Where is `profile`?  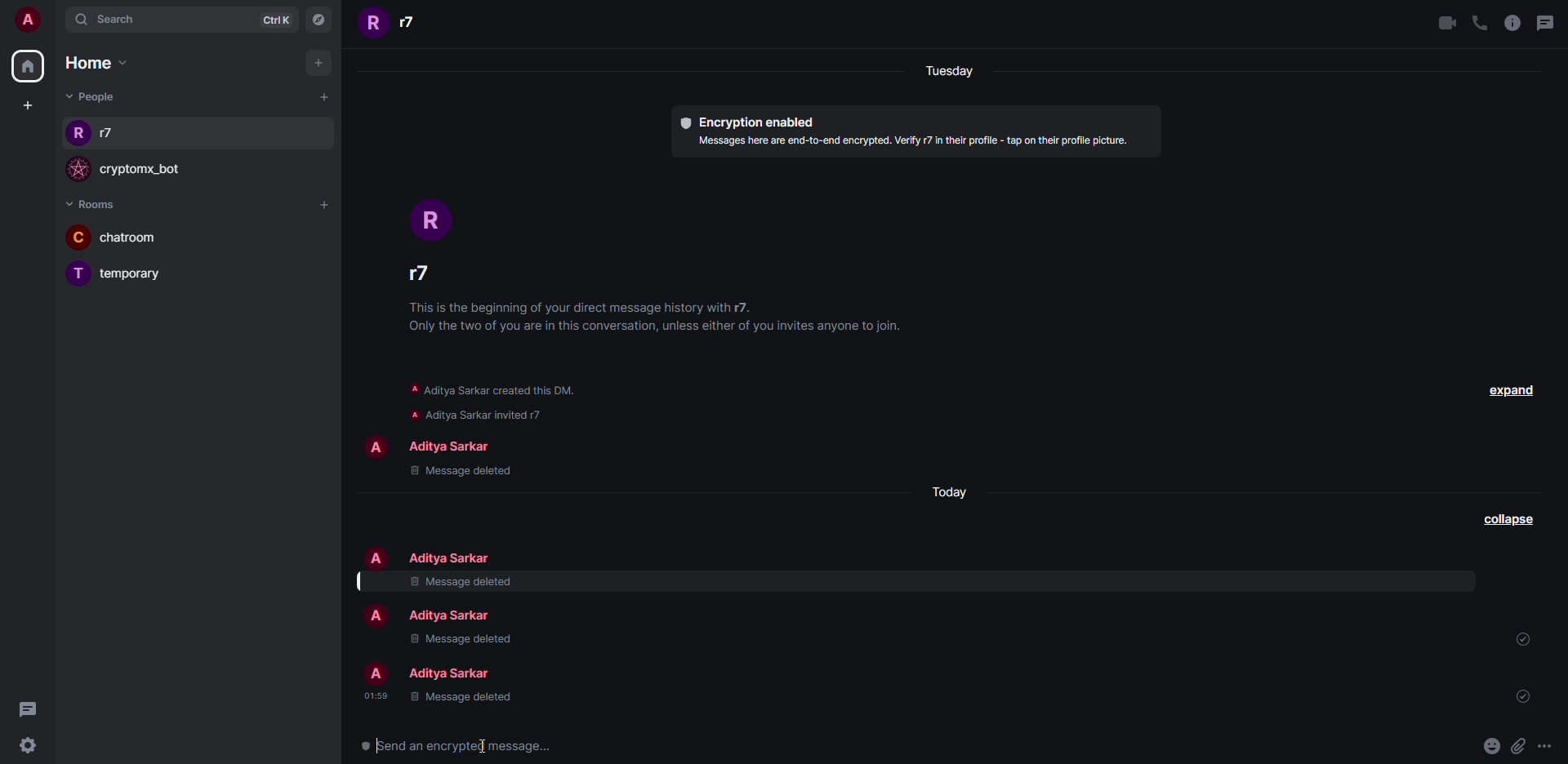 profile is located at coordinates (78, 170).